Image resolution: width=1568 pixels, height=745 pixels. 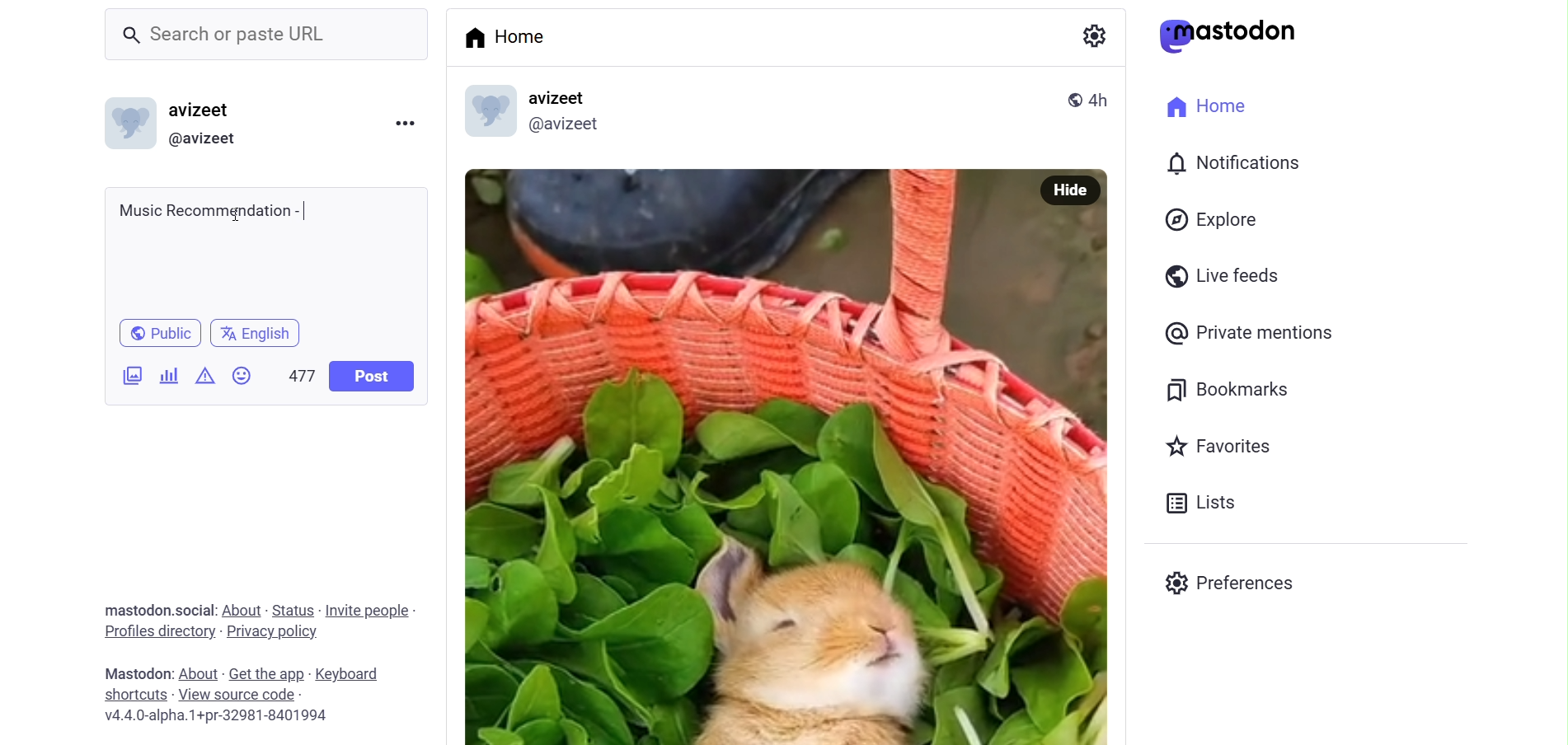 I want to click on mastodon, so click(x=1229, y=35).